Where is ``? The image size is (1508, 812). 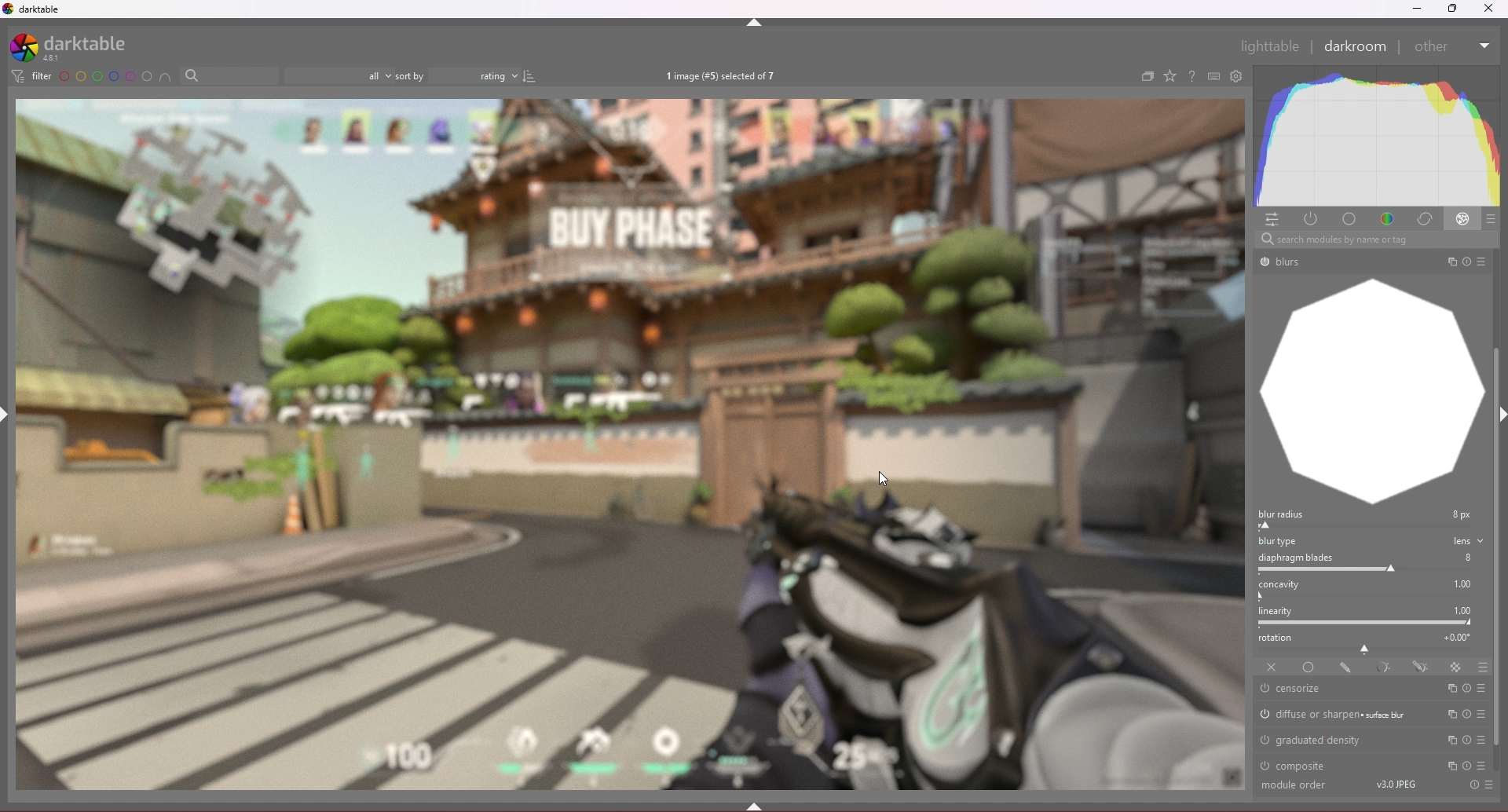  is located at coordinates (1281, 263).